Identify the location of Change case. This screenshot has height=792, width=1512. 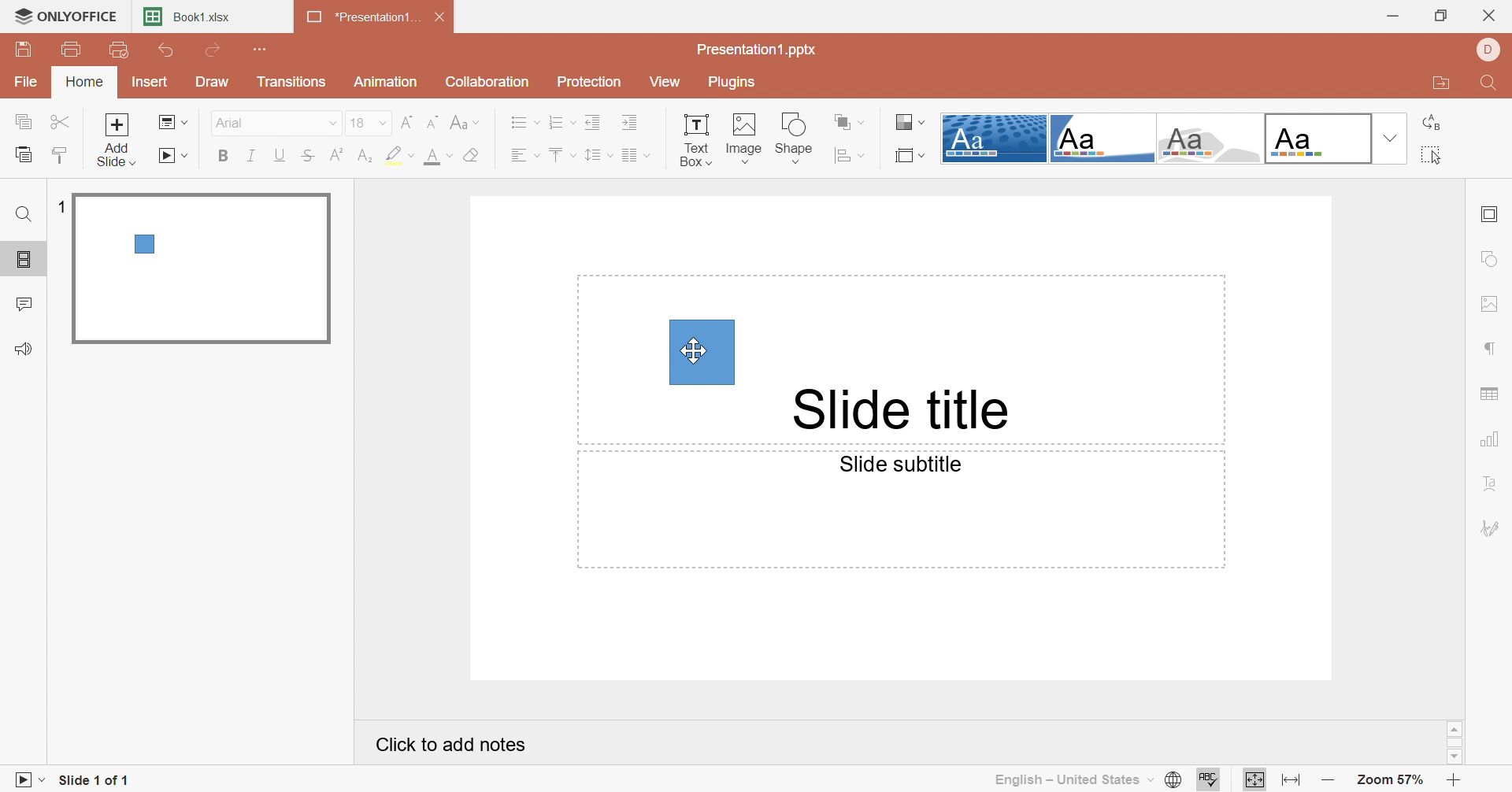
(467, 122).